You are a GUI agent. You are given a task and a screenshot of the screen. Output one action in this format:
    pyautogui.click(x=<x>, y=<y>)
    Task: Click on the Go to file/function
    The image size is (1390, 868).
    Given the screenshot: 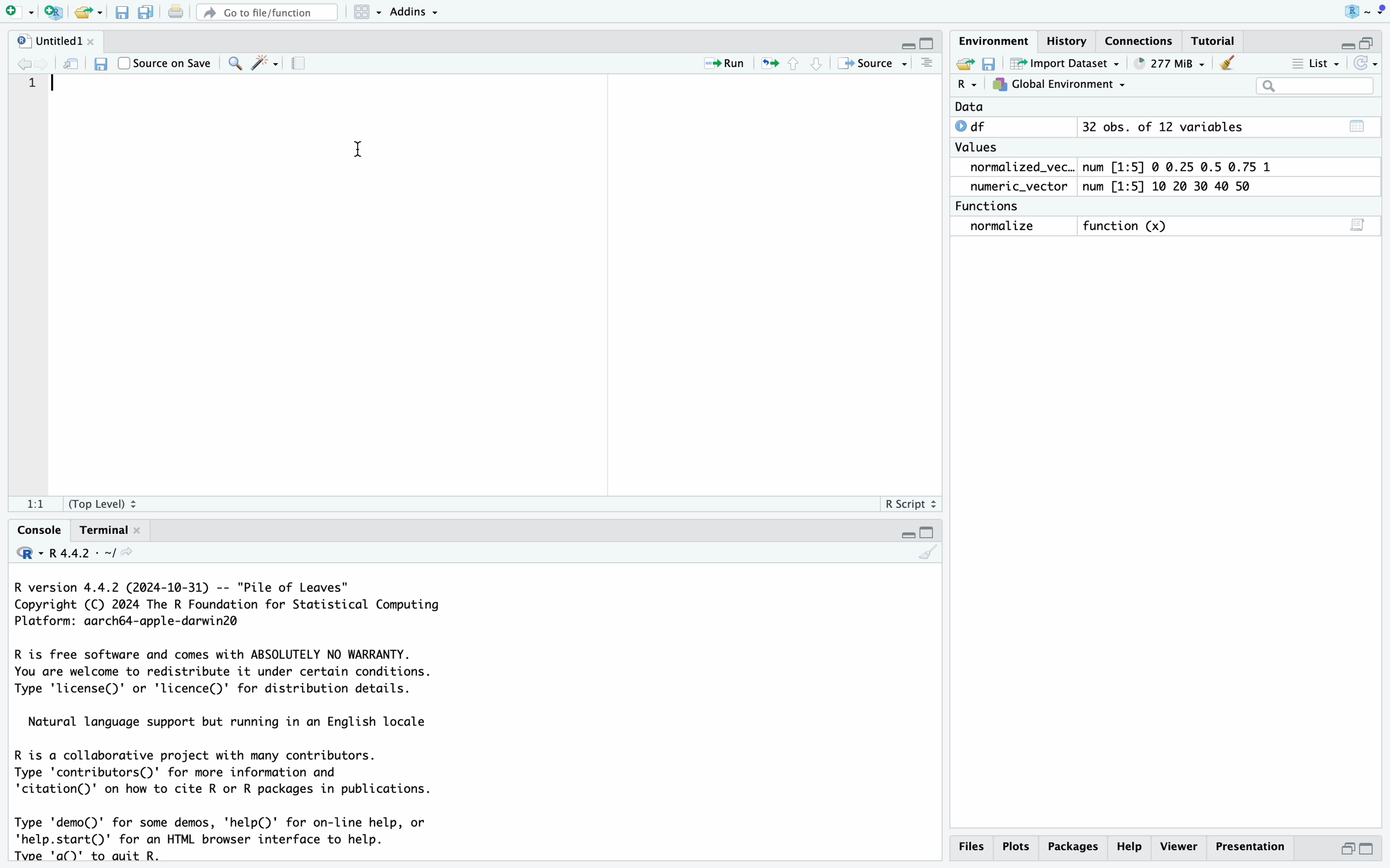 What is the action you would take?
    pyautogui.click(x=265, y=13)
    